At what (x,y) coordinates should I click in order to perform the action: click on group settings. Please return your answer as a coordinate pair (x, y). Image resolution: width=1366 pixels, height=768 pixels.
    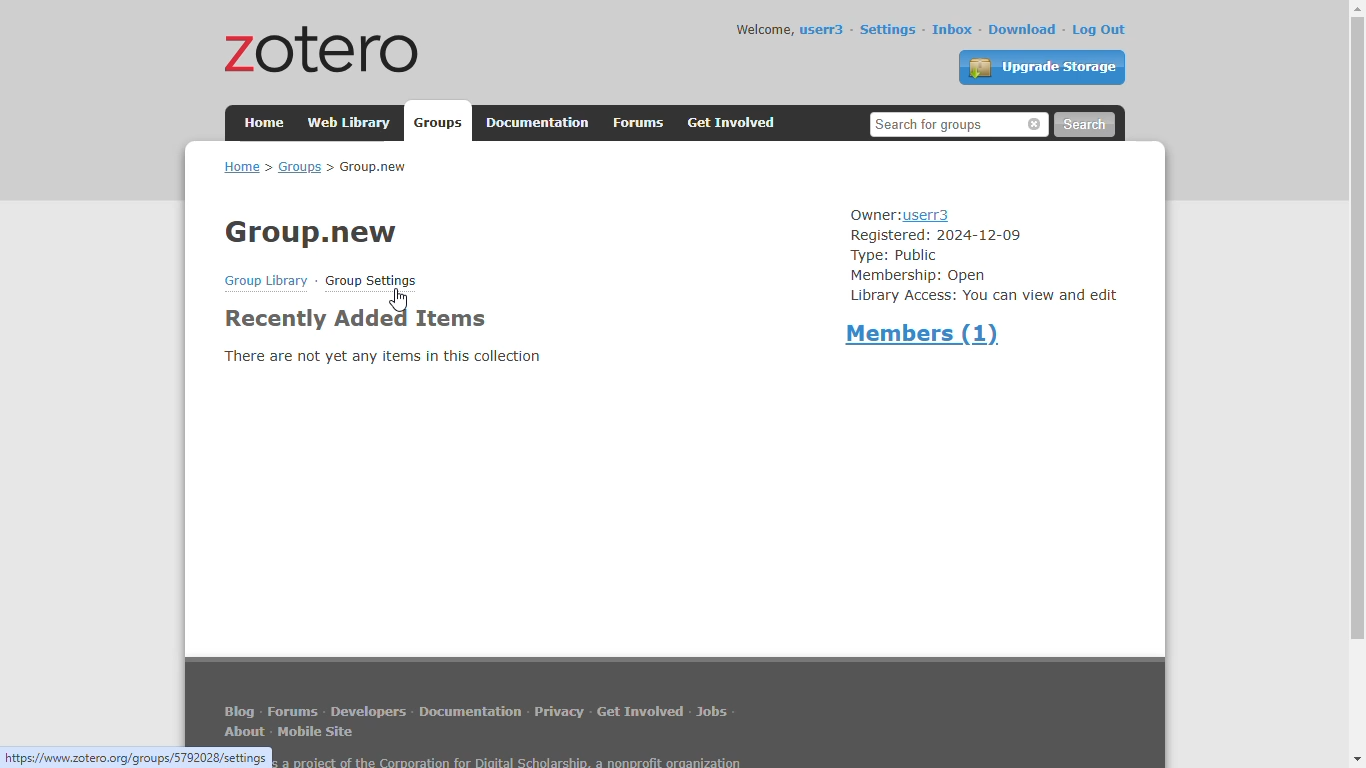
    Looking at the image, I should click on (370, 281).